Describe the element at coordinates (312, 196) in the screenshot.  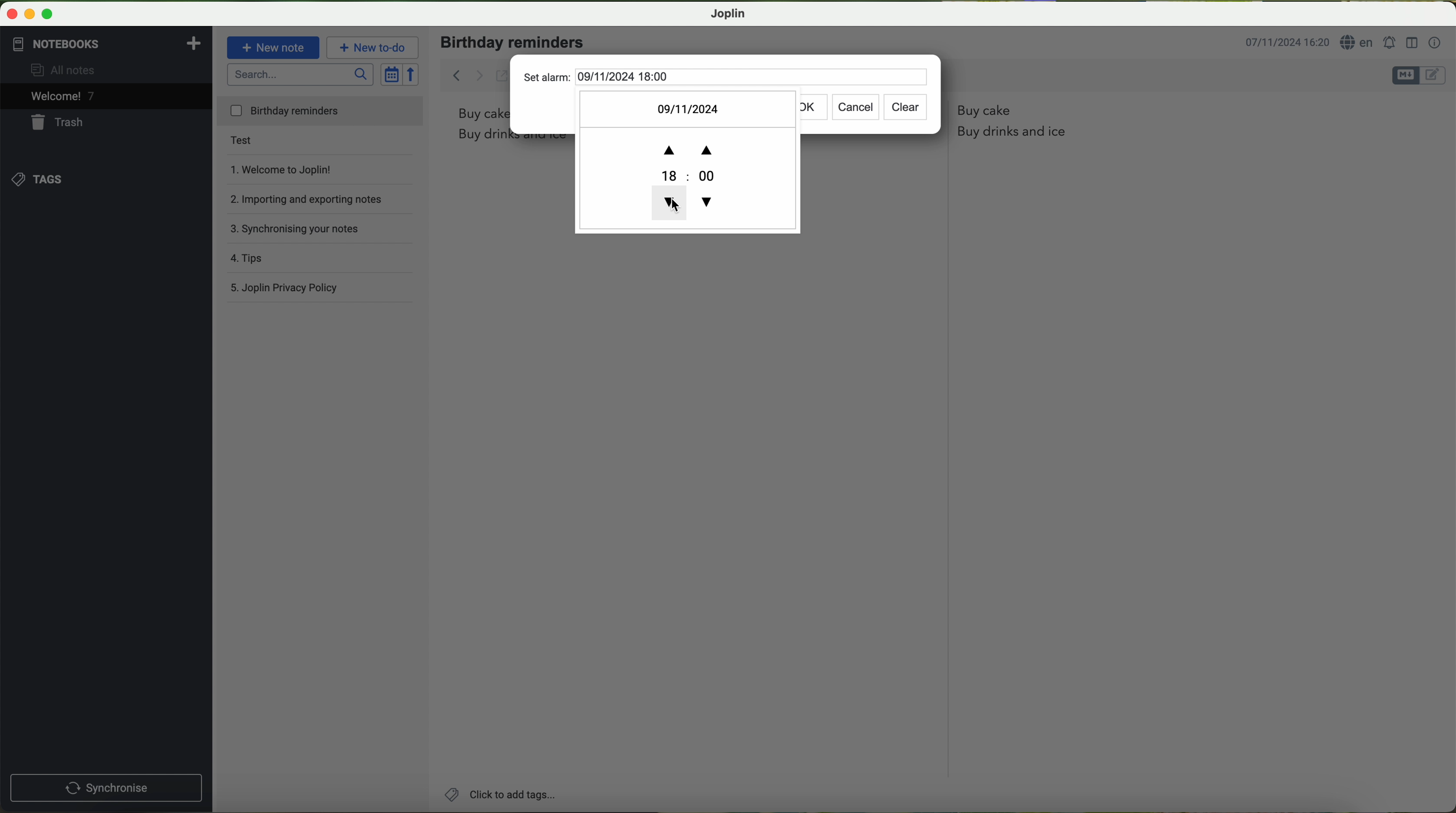
I see `importing and exporting notes` at that location.